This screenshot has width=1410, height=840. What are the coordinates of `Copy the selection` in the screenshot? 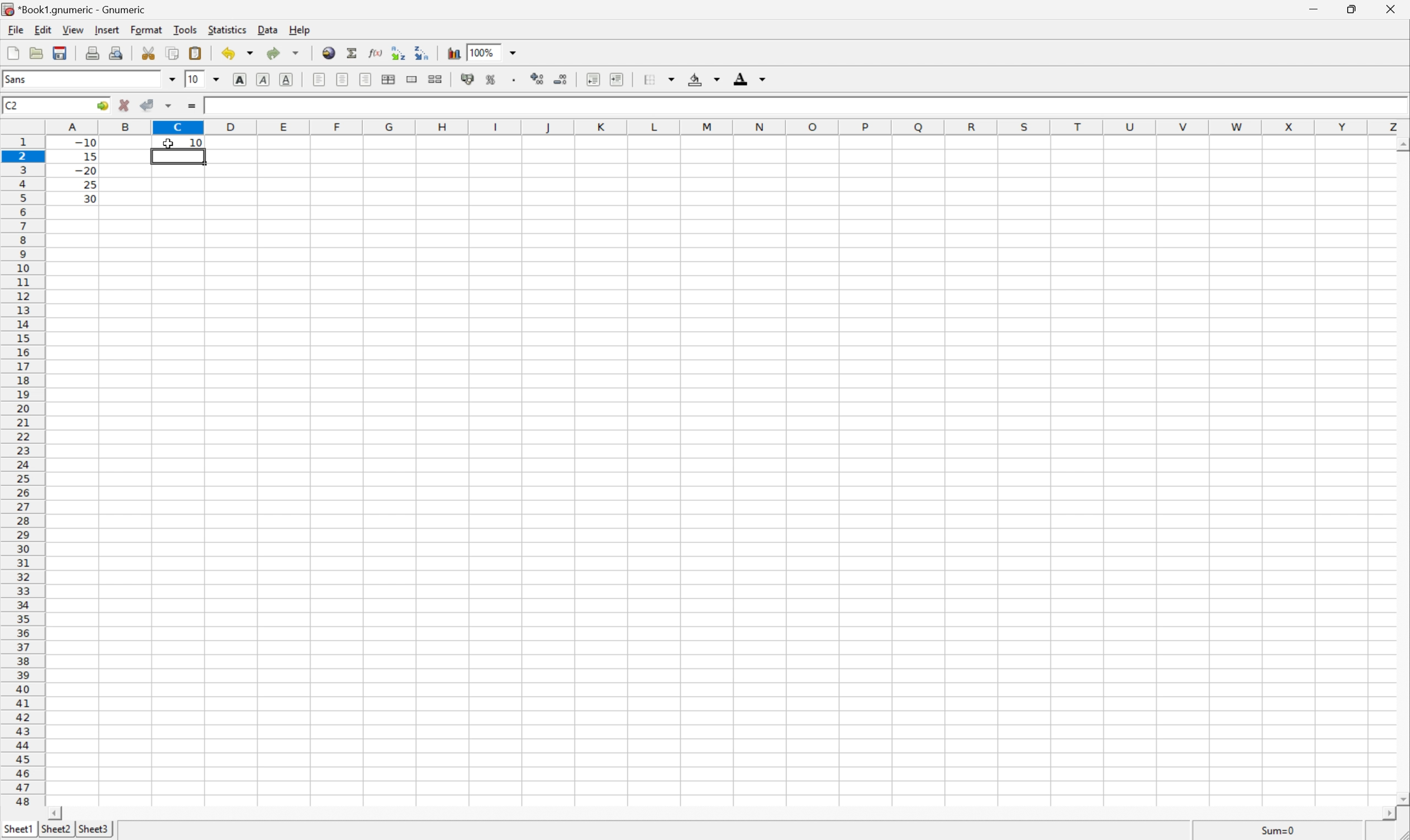 It's located at (152, 49).